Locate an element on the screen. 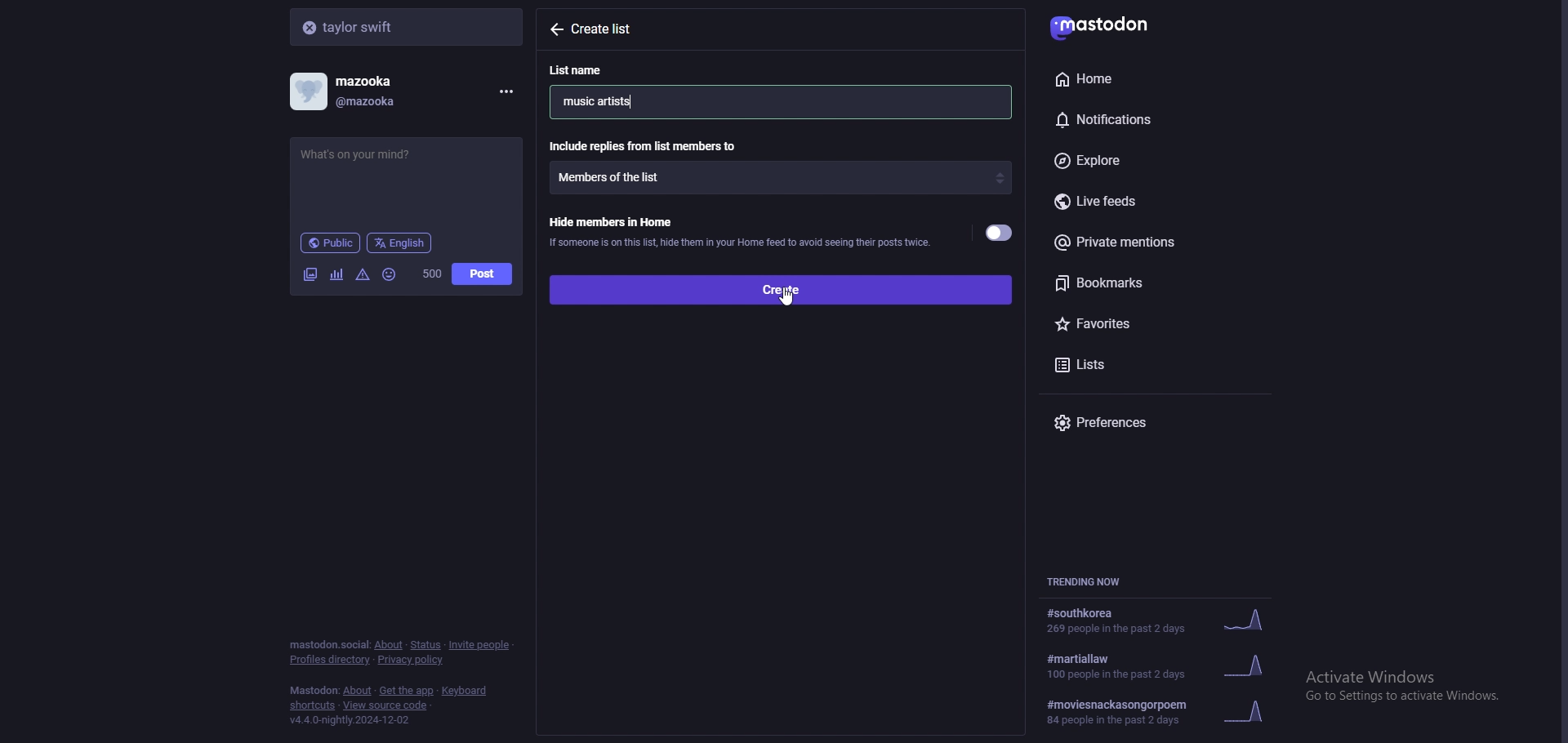  create list is located at coordinates (612, 29).